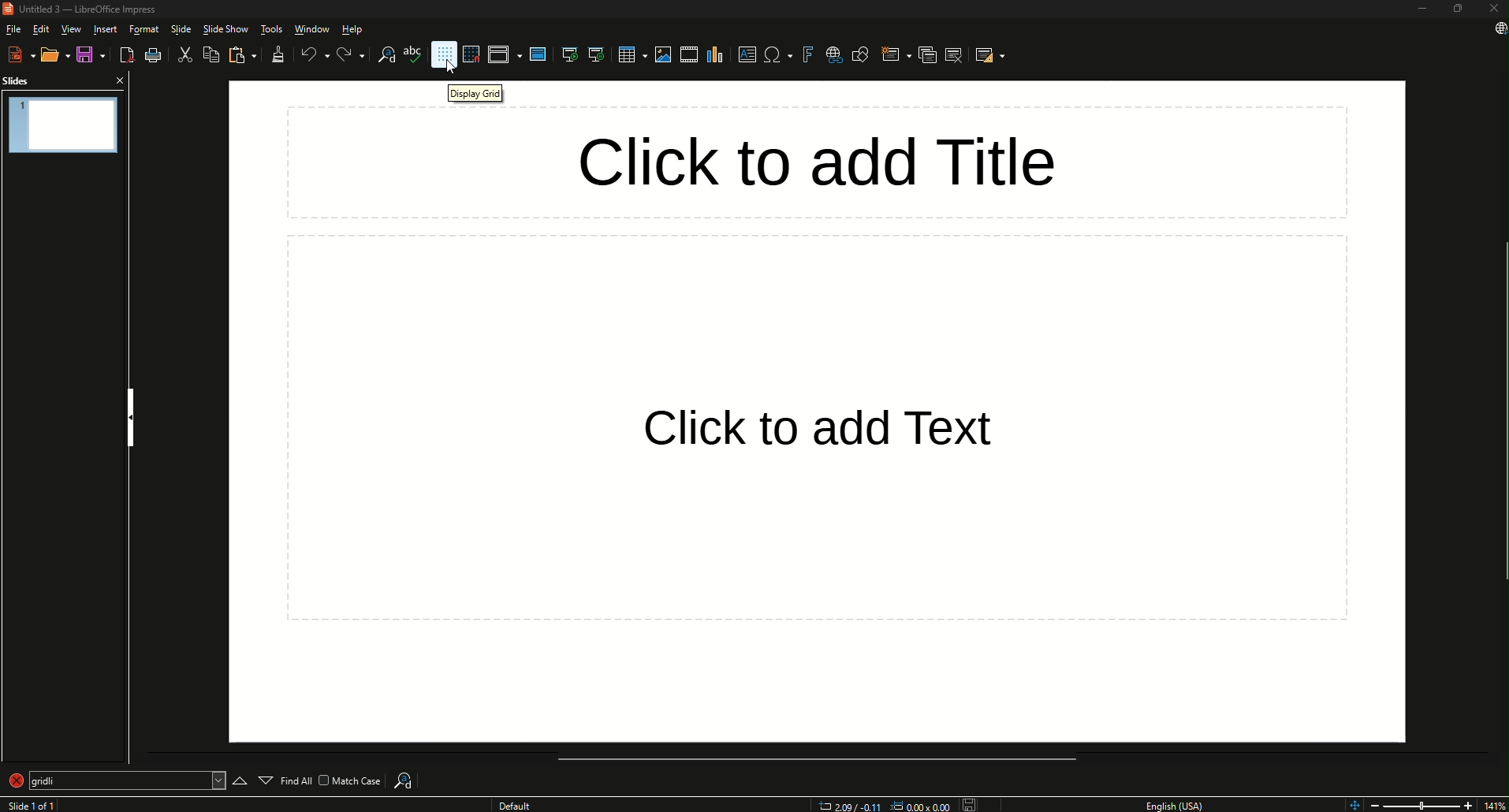 The image size is (1509, 812). Describe the element at coordinates (811, 759) in the screenshot. I see `Scroll` at that location.